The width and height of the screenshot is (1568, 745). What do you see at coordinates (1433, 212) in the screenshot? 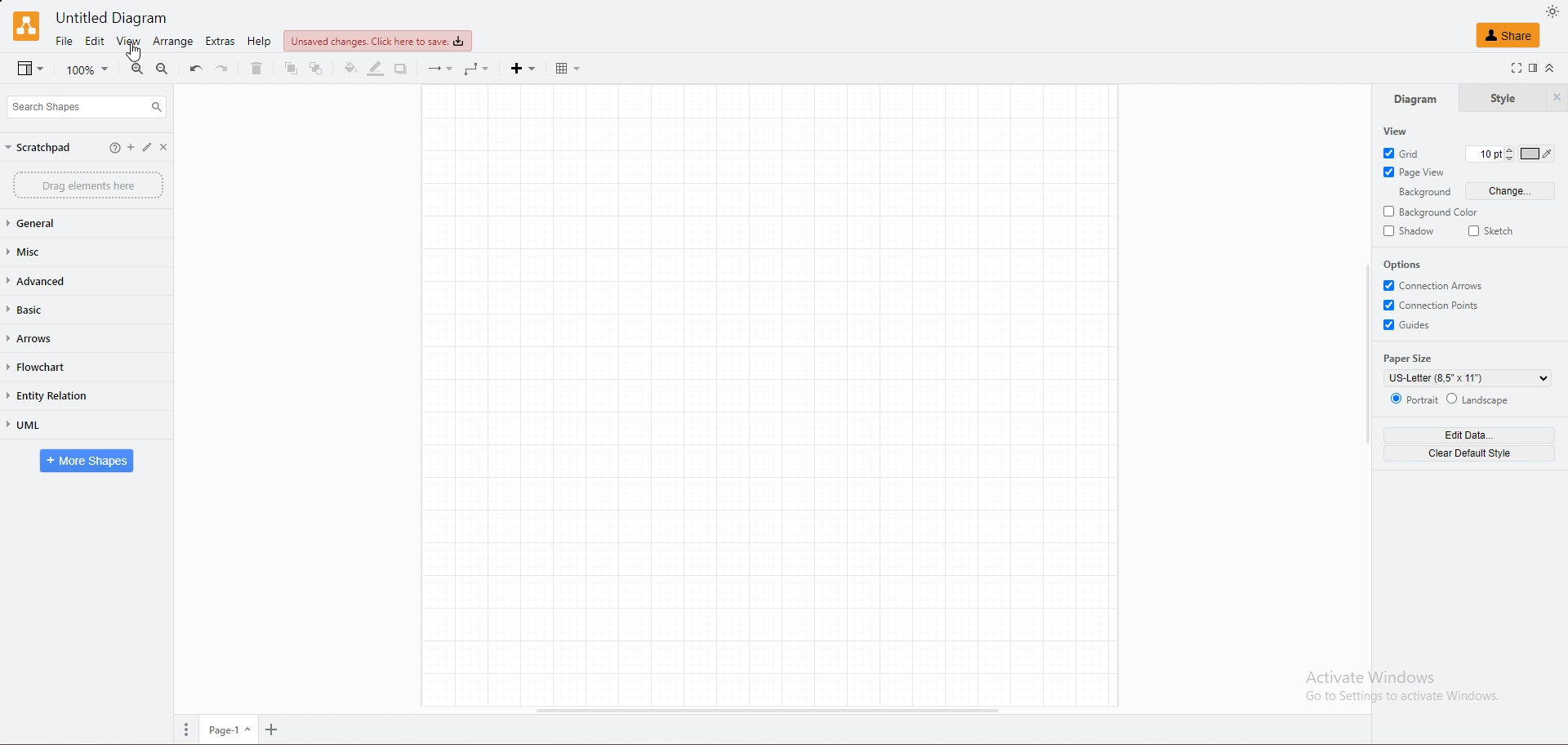
I see `background color` at bounding box center [1433, 212].